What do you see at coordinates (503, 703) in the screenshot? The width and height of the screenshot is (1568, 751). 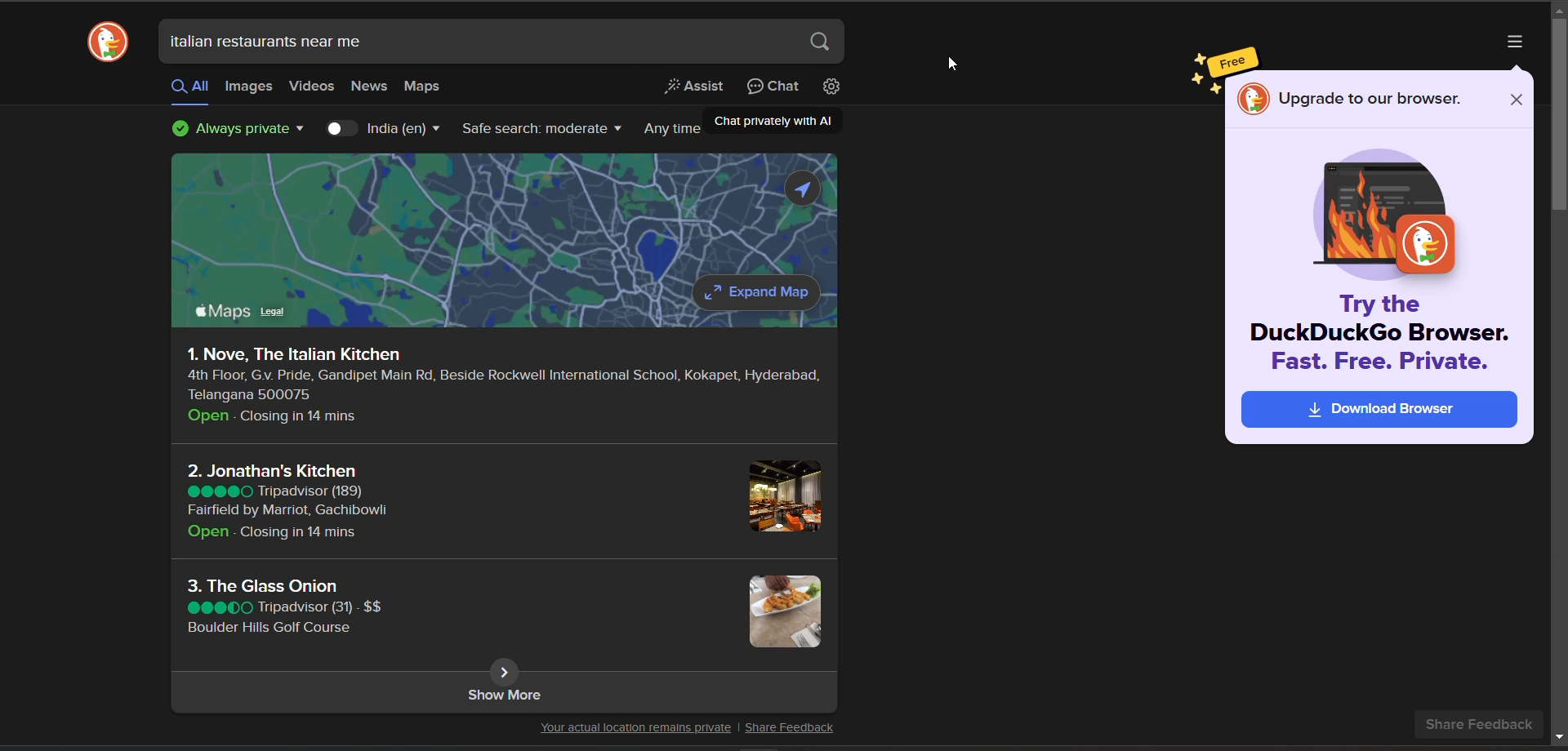 I see `show  more` at bounding box center [503, 703].